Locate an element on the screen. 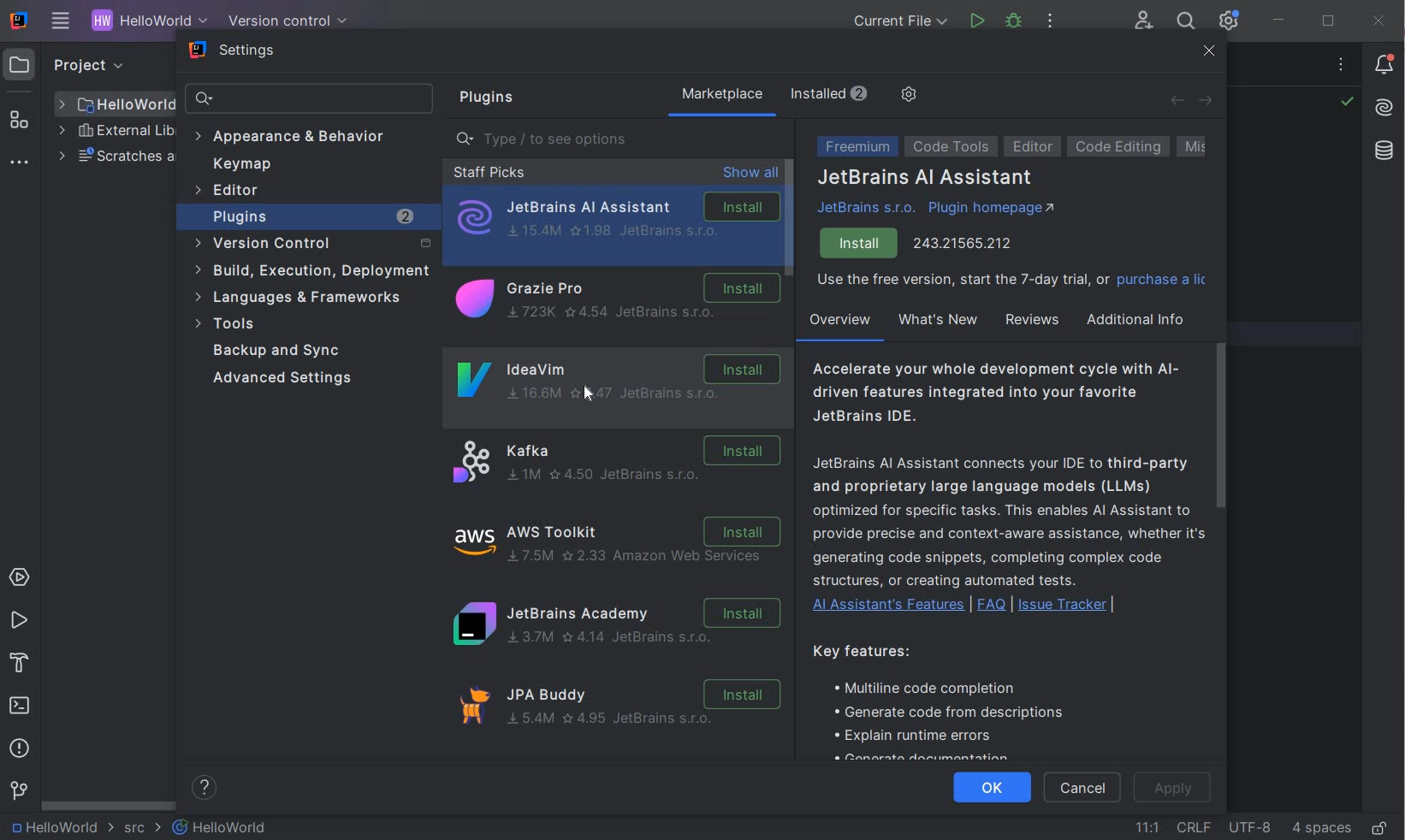 Image resolution: width=1405 pixels, height=840 pixels. what's new is located at coordinates (937, 320).